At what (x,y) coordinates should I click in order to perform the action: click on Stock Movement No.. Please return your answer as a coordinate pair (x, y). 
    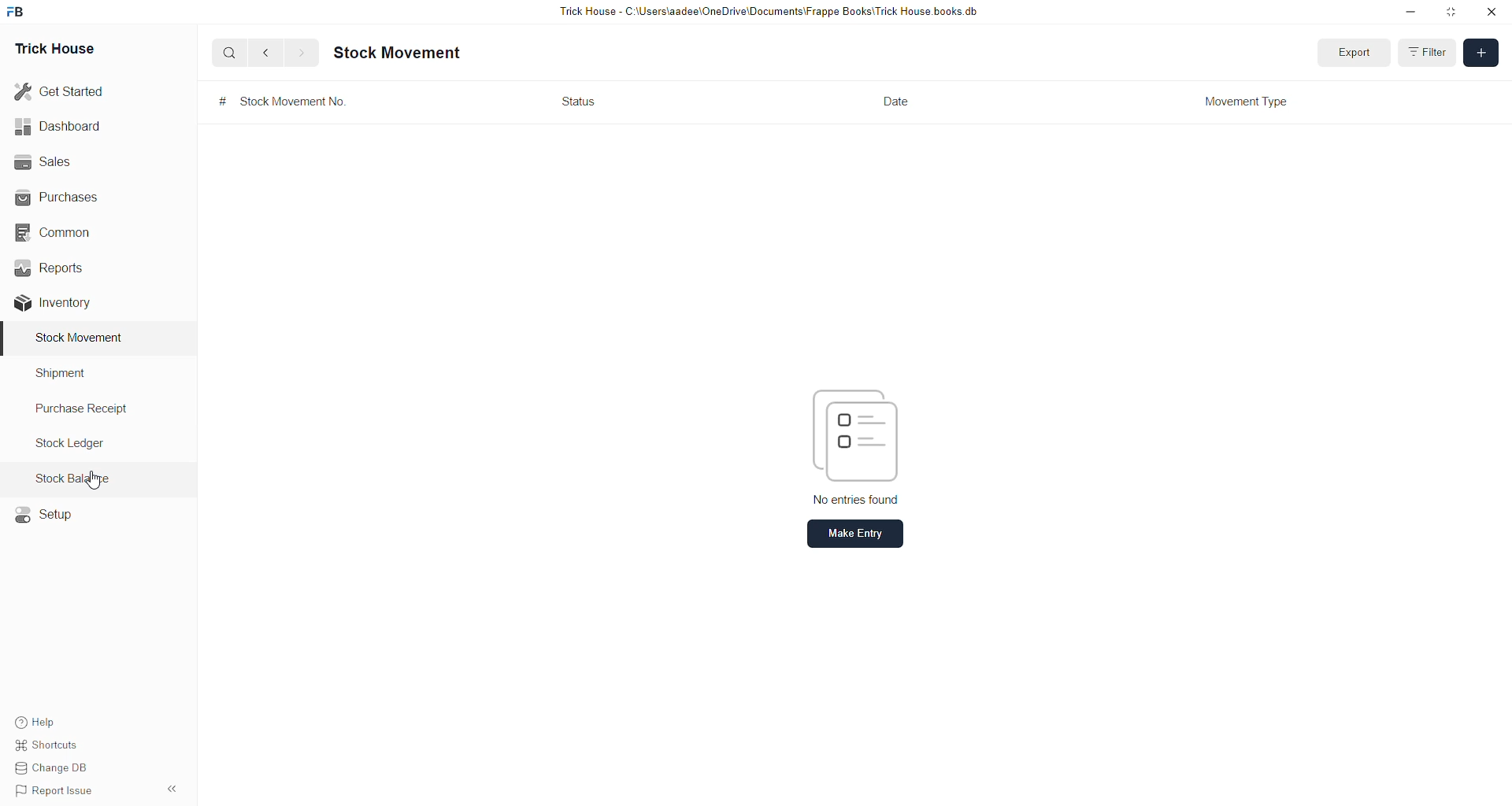
    Looking at the image, I should click on (289, 105).